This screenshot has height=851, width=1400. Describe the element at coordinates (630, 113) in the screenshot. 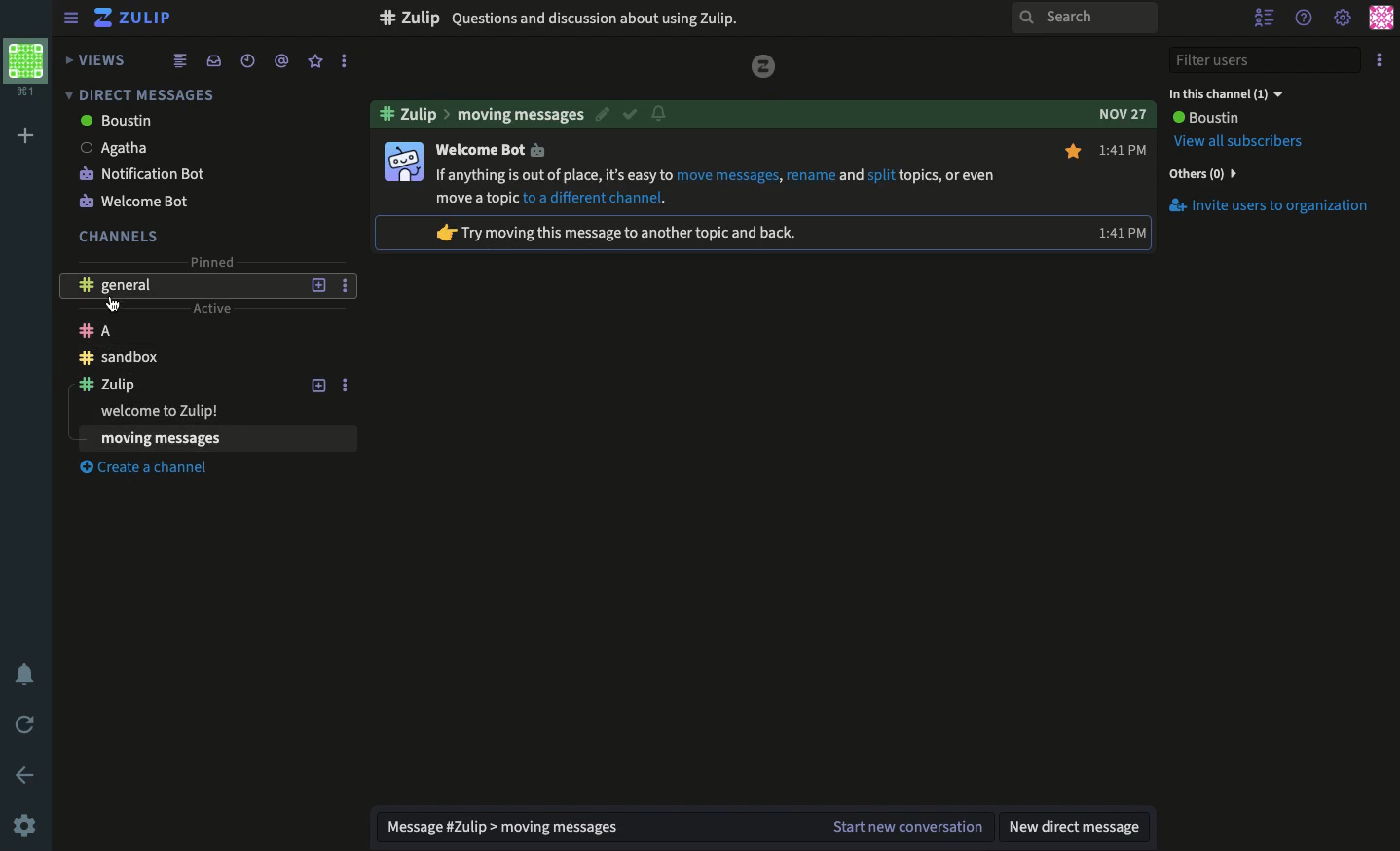

I see `Resolved` at that location.